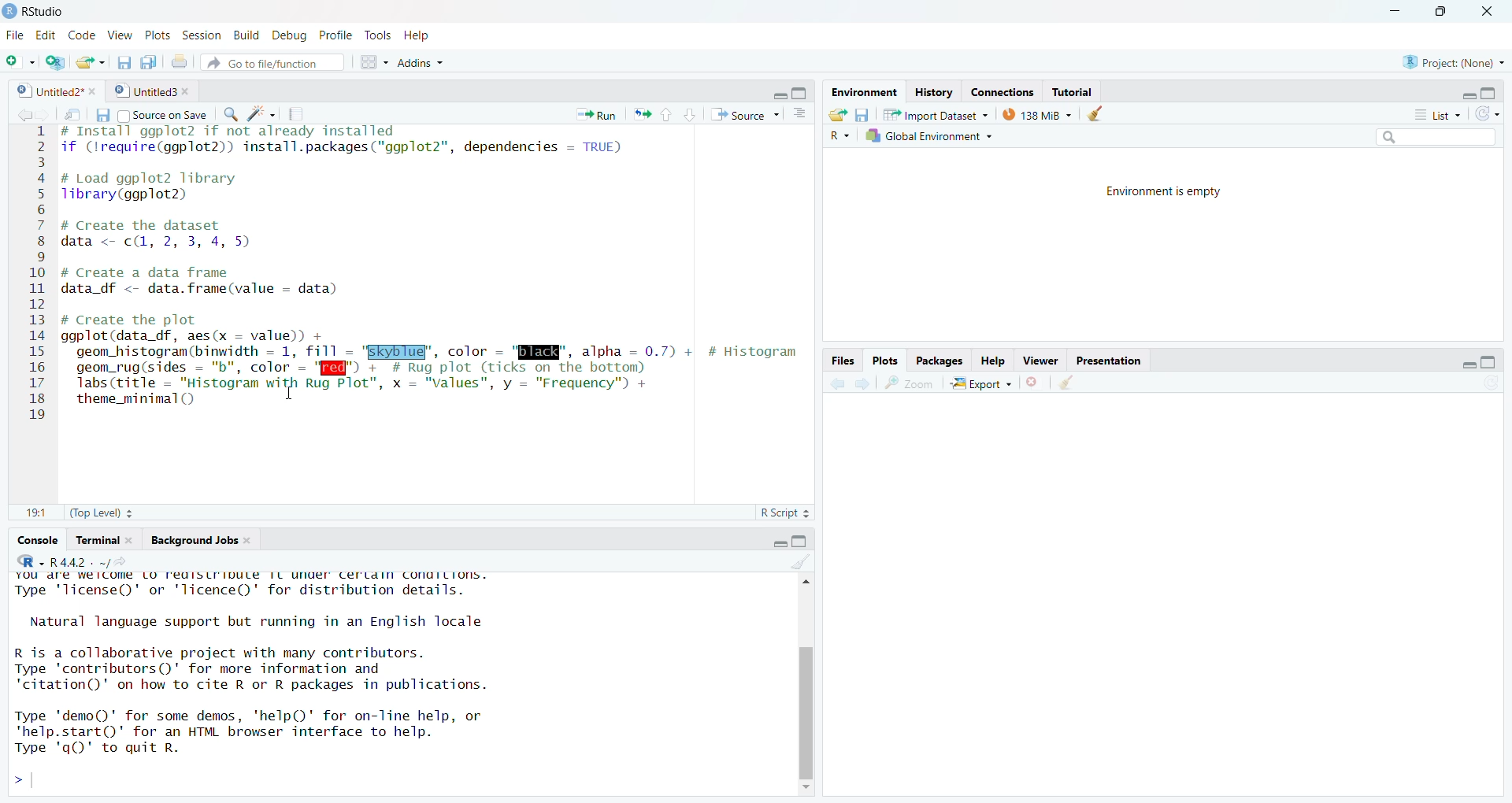 This screenshot has height=803, width=1512. Describe the element at coordinates (418, 33) in the screenshot. I see `Help` at that location.